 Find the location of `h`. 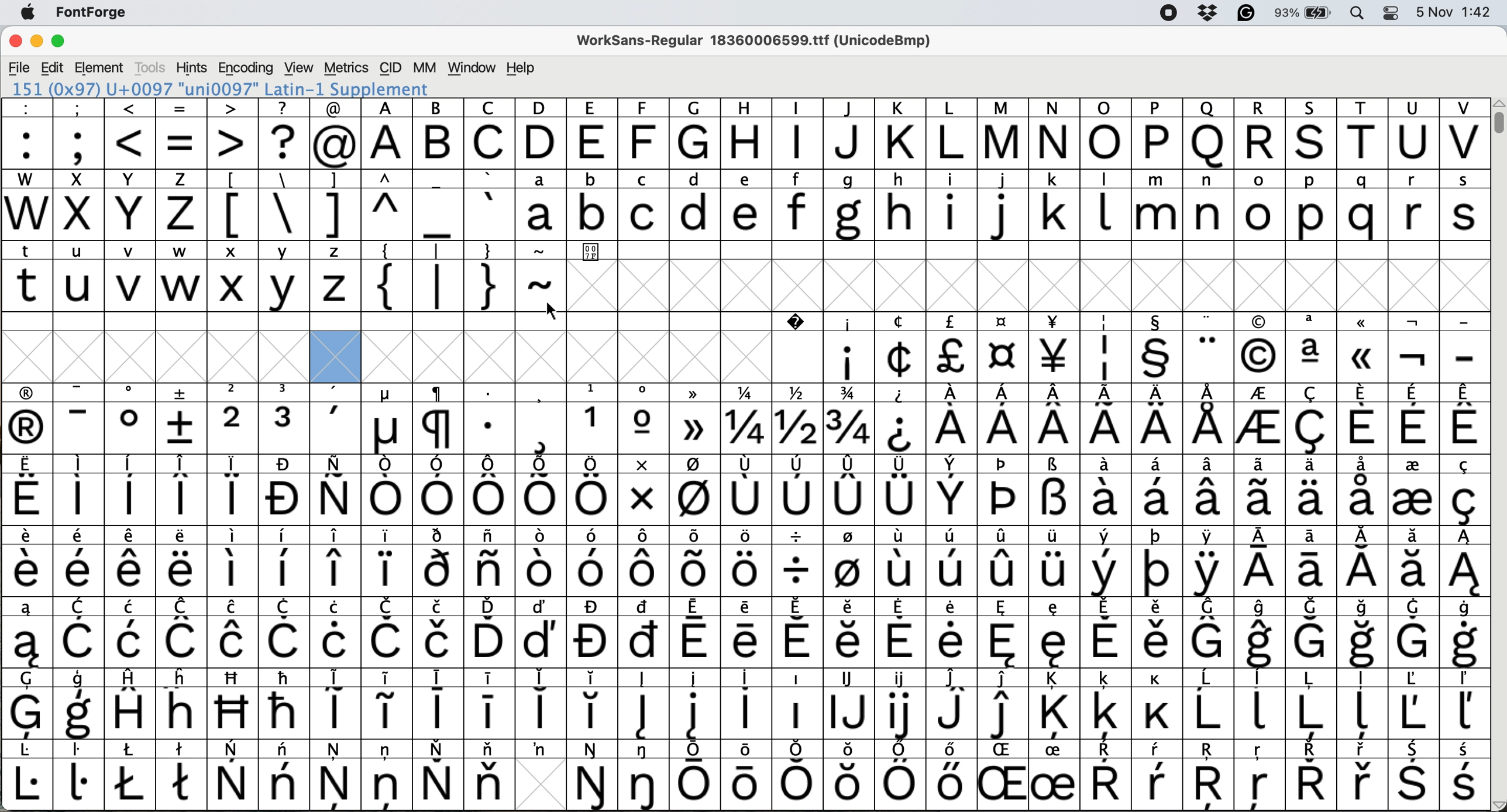

h is located at coordinates (899, 204).